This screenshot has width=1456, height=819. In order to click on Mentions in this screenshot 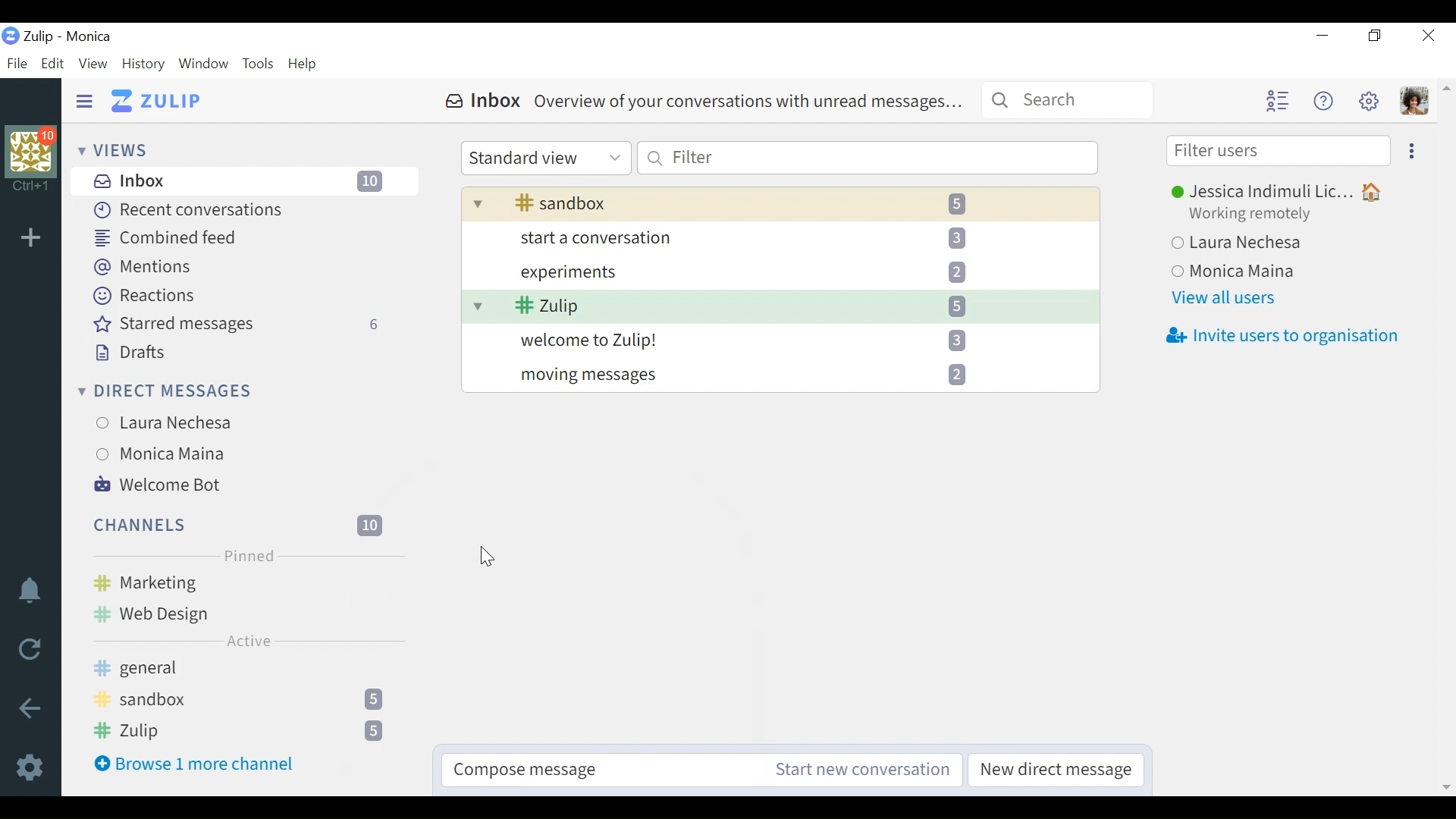, I will do `click(144, 268)`.